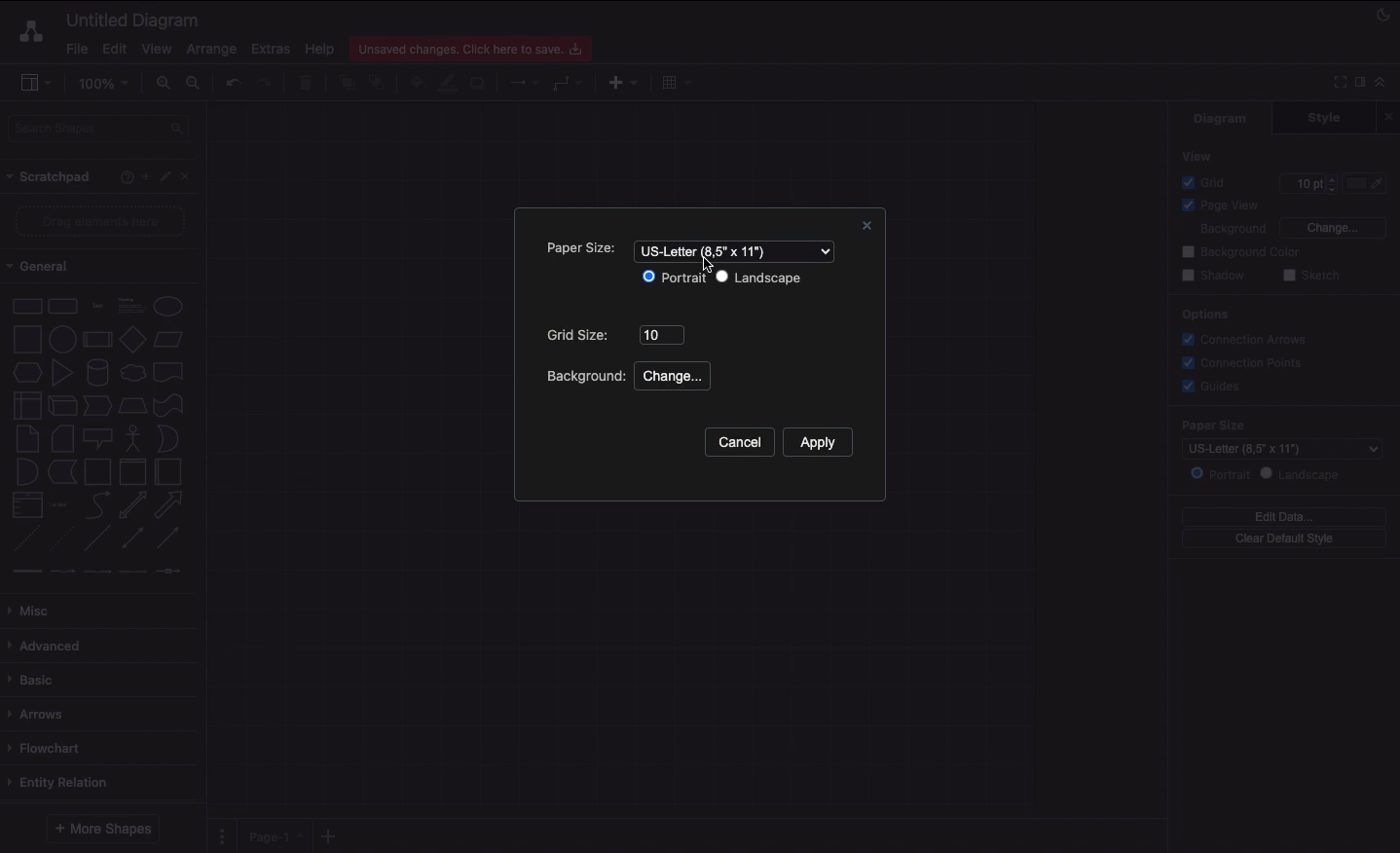  I want to click on Step, so click(97, 406).